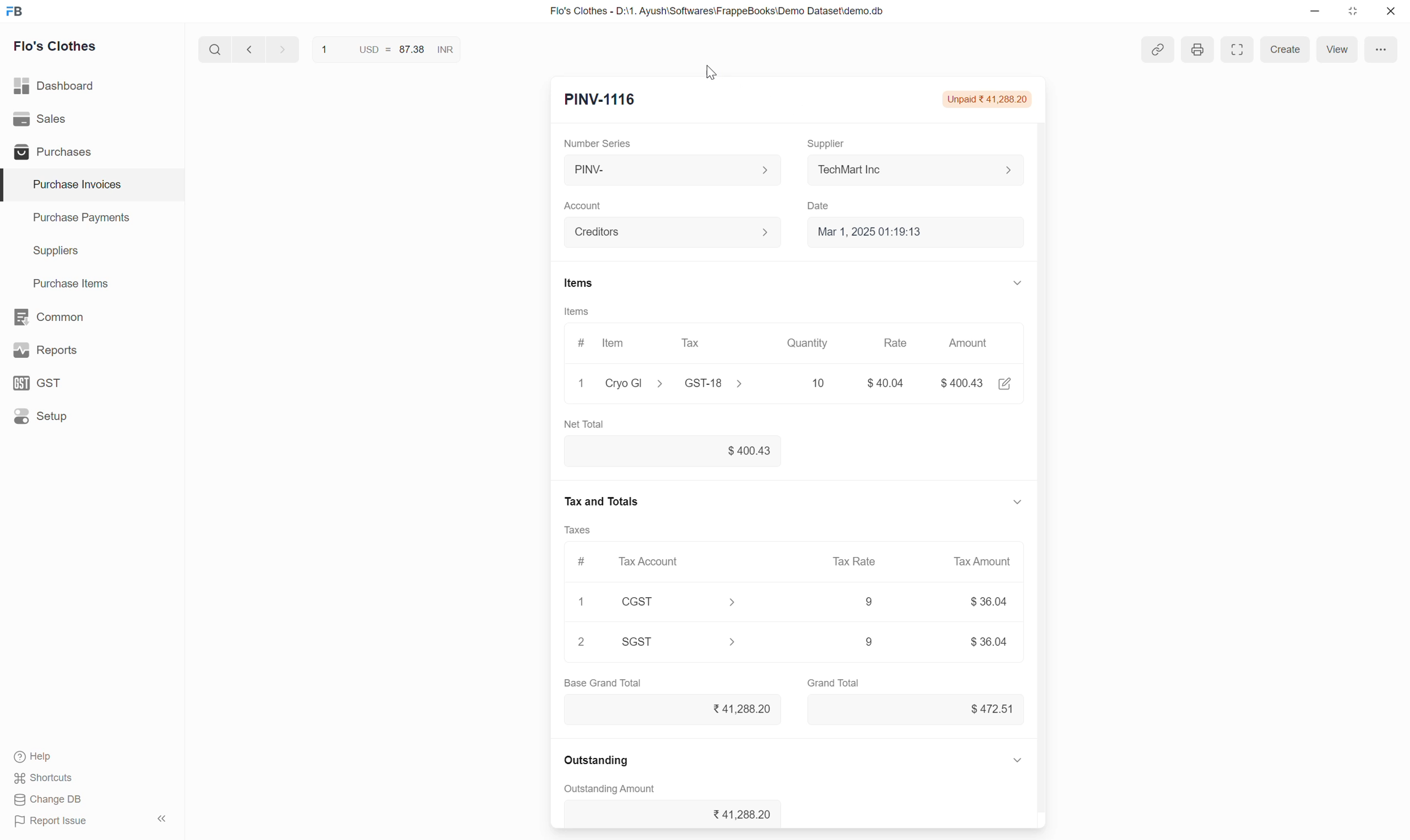  I want to click on Number Series, so click(604, 142).